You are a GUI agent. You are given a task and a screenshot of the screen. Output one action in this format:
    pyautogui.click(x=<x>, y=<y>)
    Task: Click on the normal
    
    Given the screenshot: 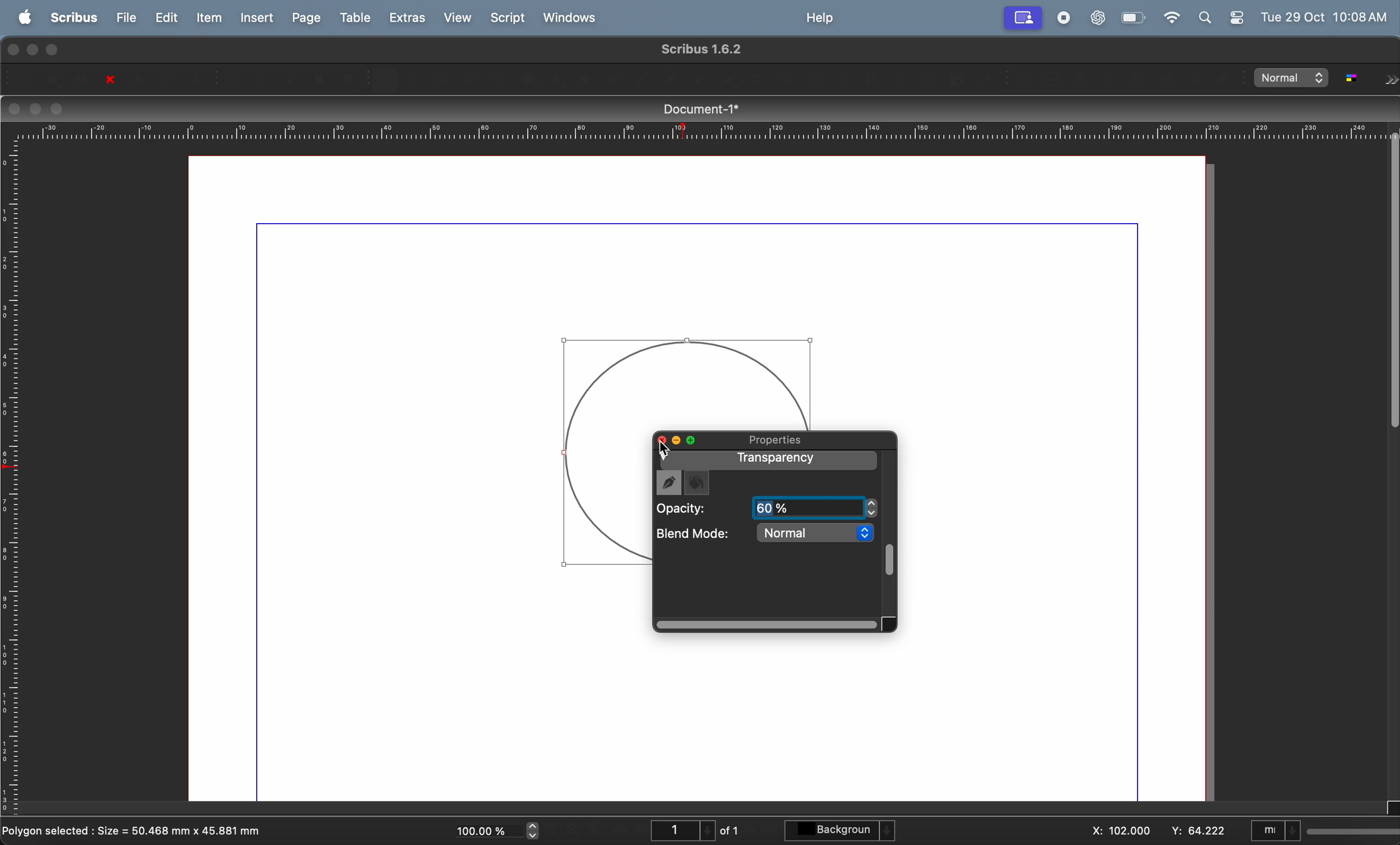 What is the action you would take?
    pyautogui.click(x=815, y=532)
    